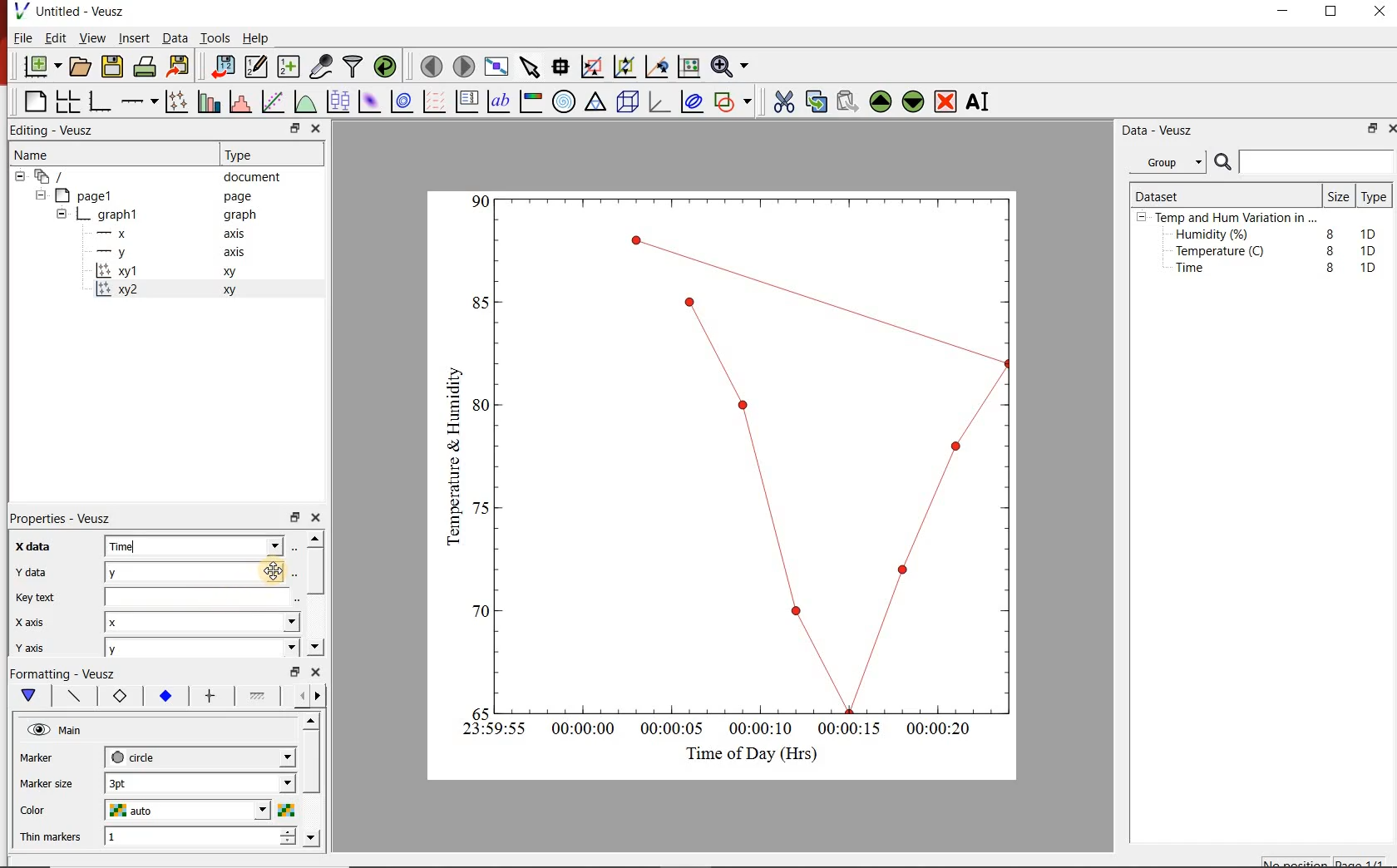 This screenshot has width=1397, height=868. I want to click on save the document, so click(113, 67).